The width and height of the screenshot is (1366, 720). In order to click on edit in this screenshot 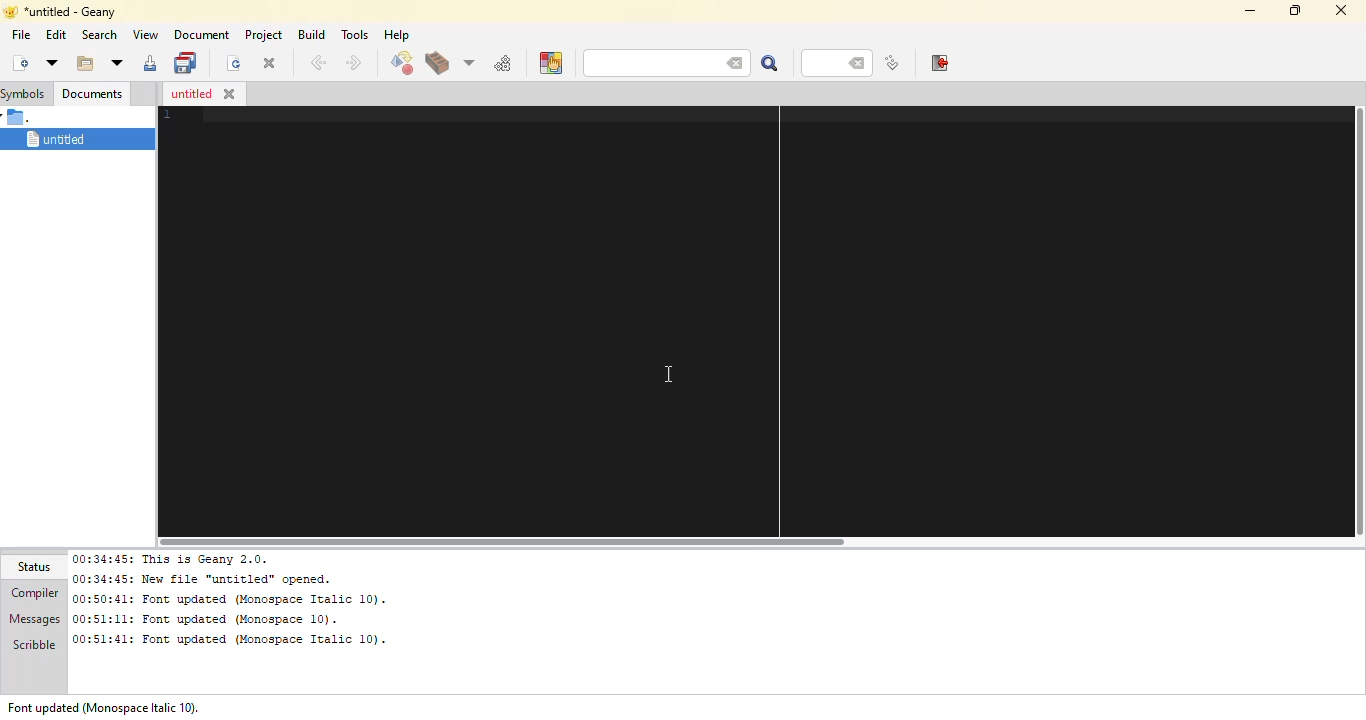, I will do `click(56, 35)`.